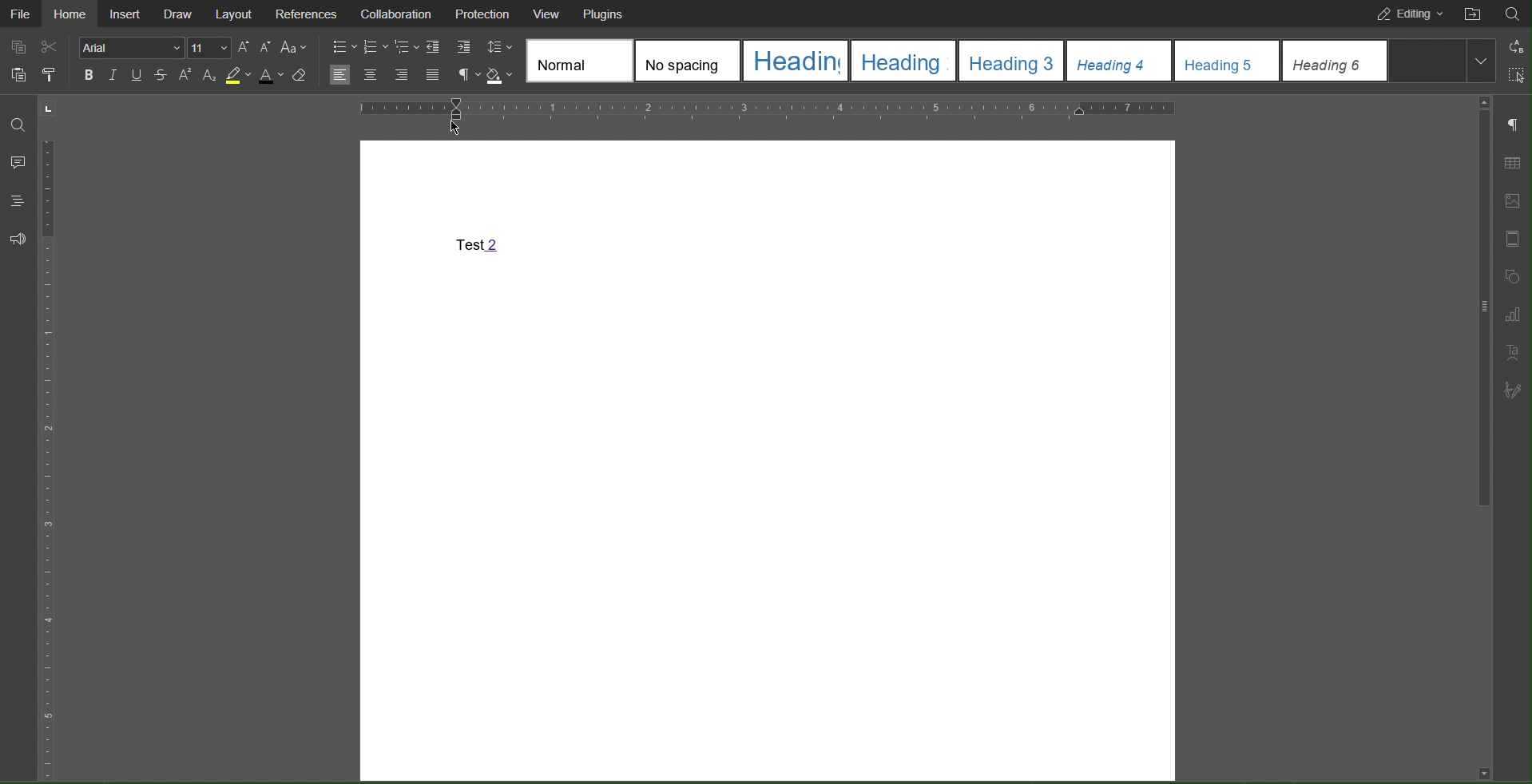  Describe the element at coordinates (1228, 60) in the screenshot. I see `Heading 5` at that location.